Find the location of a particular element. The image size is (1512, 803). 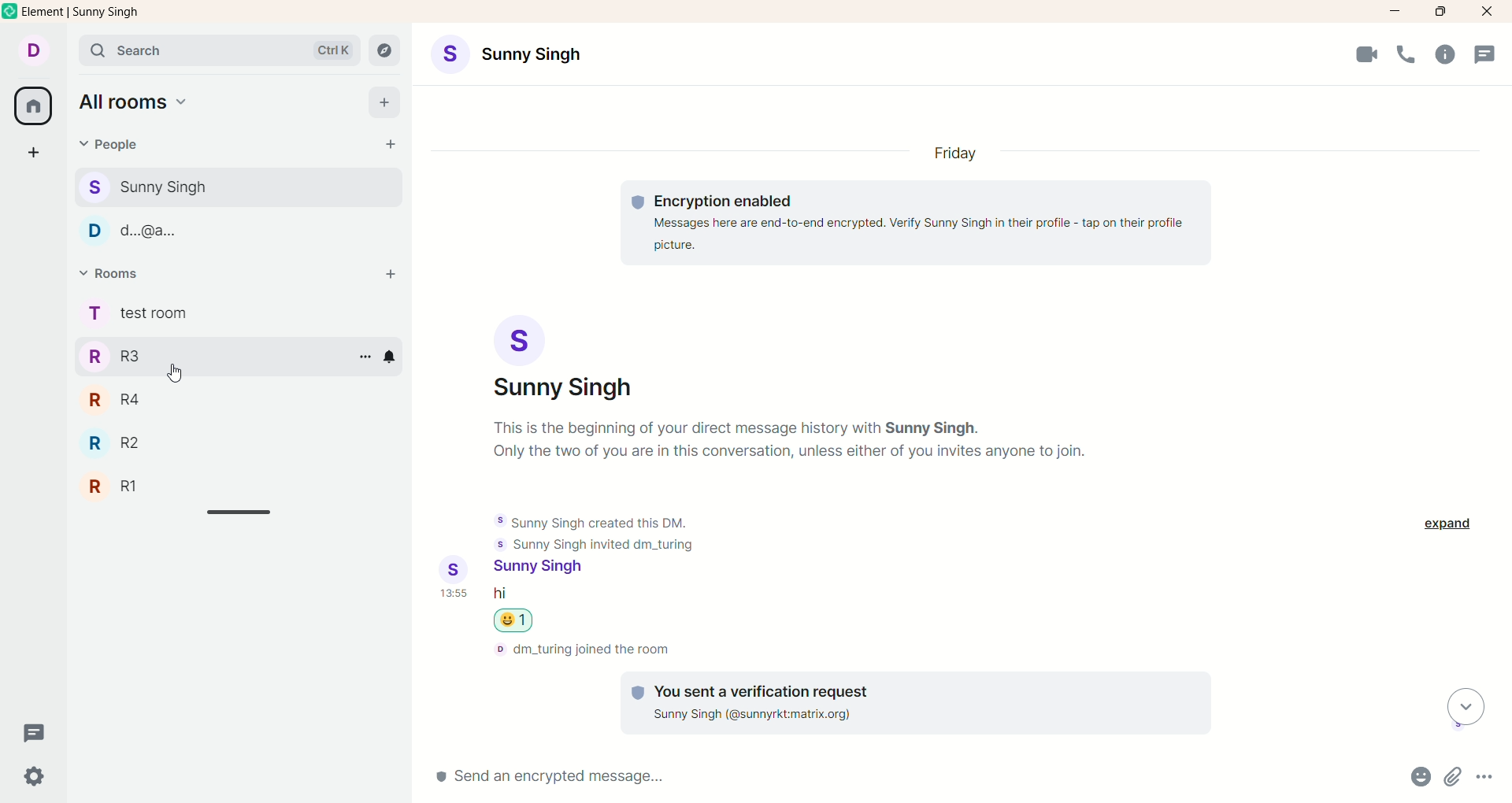

search is located at coordinates (219, 52).